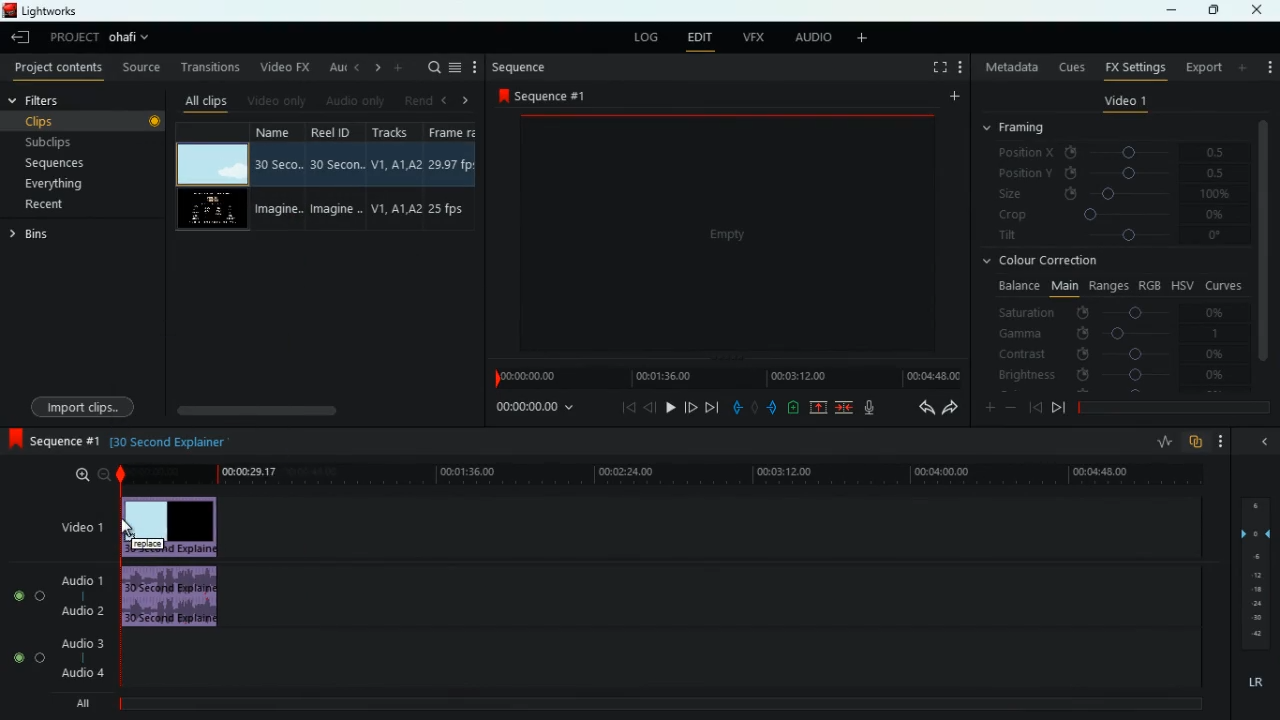  Describe the element at coordinates (1258, 574) in the screenshot. I see `- 12 (layer)` at that location.